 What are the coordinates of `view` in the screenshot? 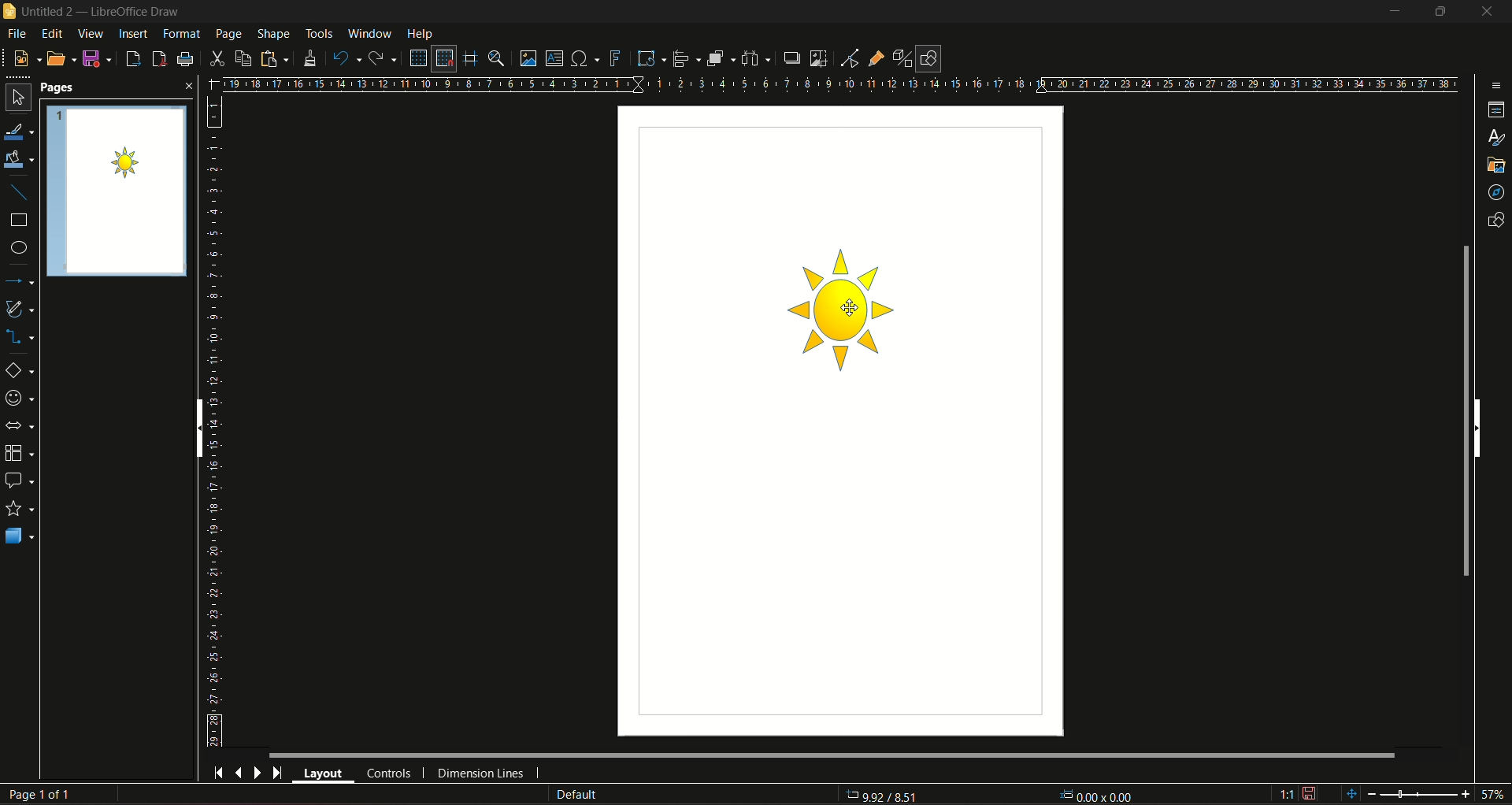 It's located at (92, 35).